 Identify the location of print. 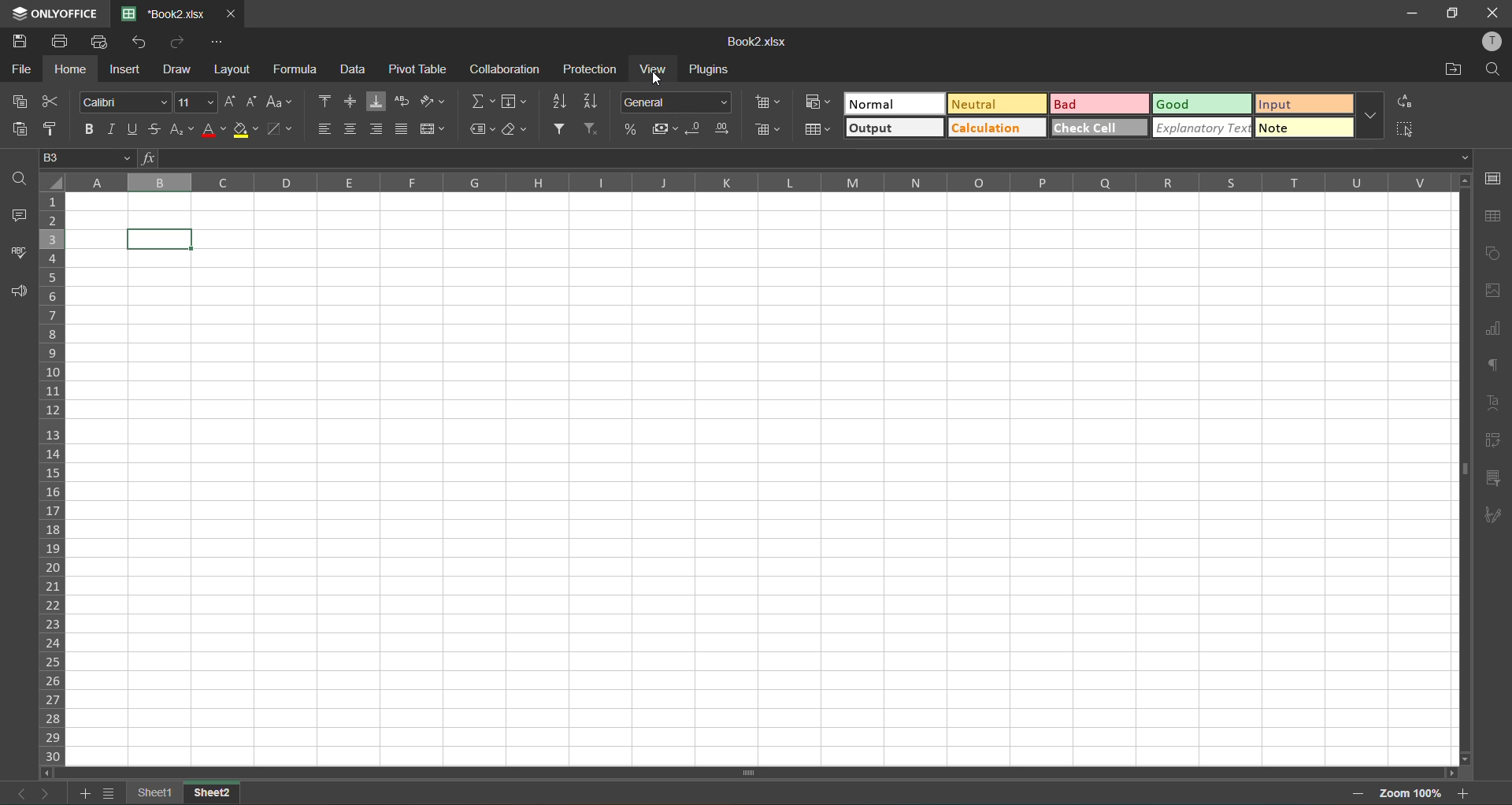
(60, 43).